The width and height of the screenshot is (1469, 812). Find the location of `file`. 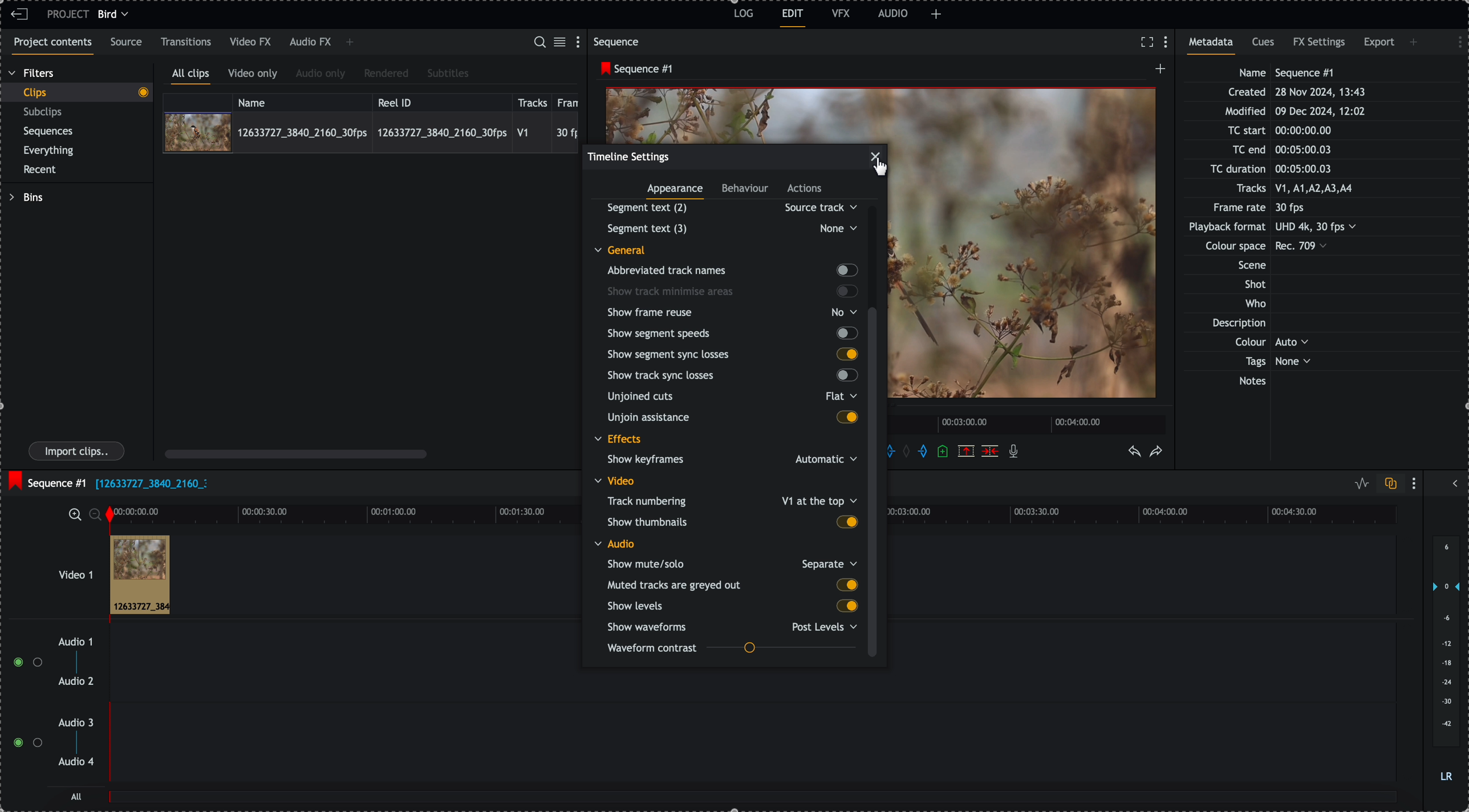

file is located at coordinates (151, 485).